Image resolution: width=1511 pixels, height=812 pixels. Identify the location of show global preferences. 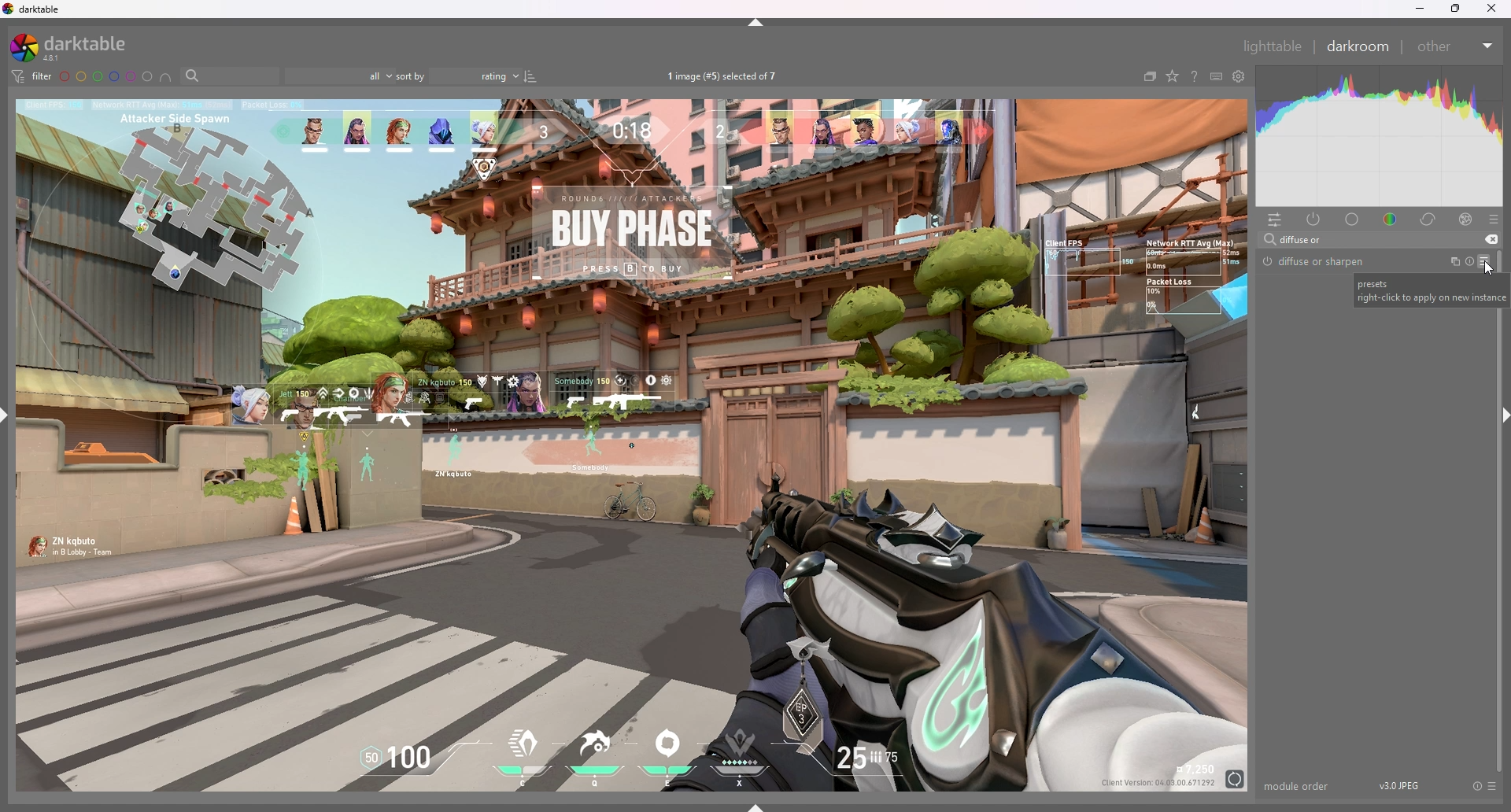
(1240, 76).